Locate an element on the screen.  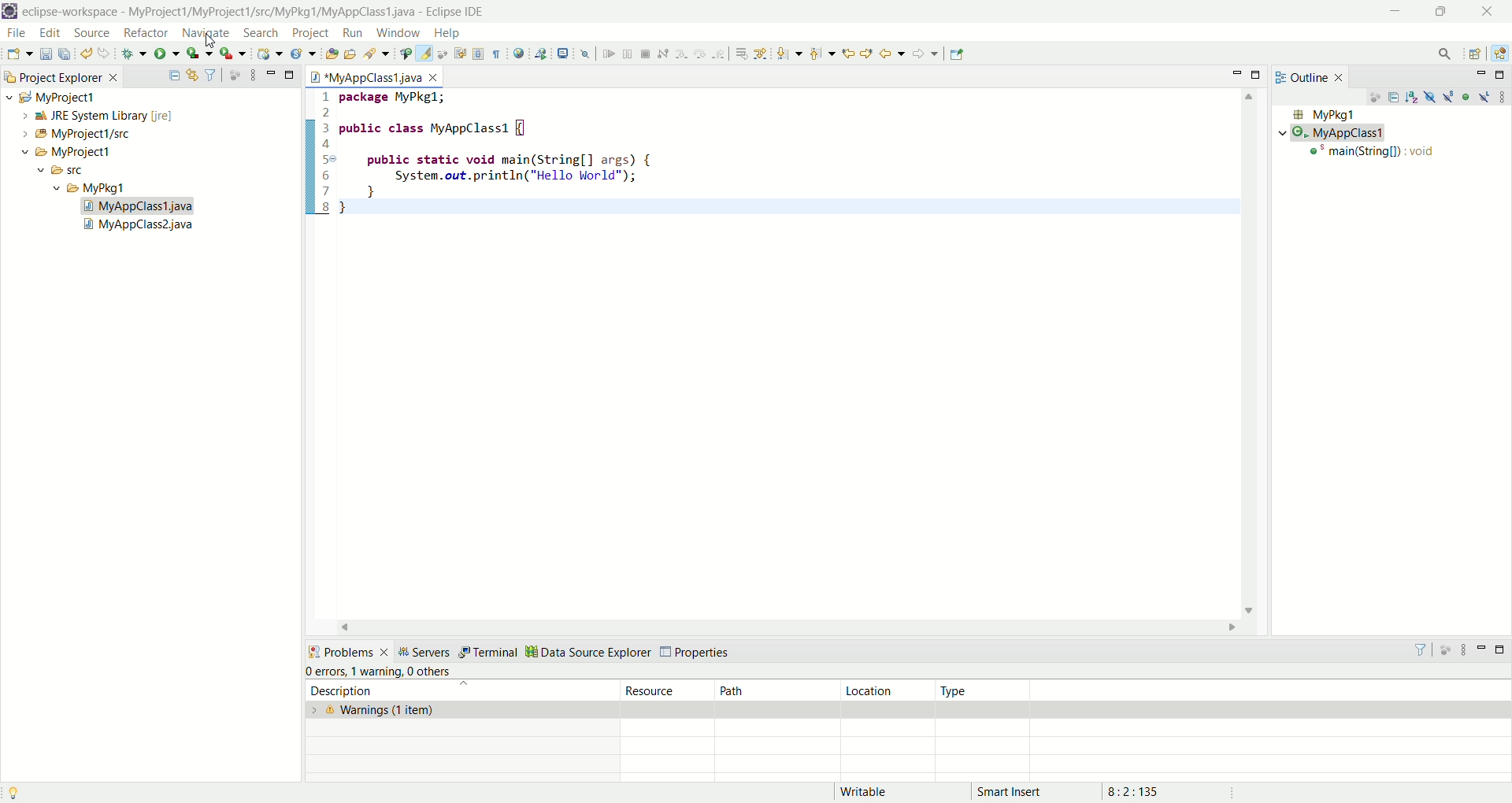
view menu is located at coordinates (1502, 96).